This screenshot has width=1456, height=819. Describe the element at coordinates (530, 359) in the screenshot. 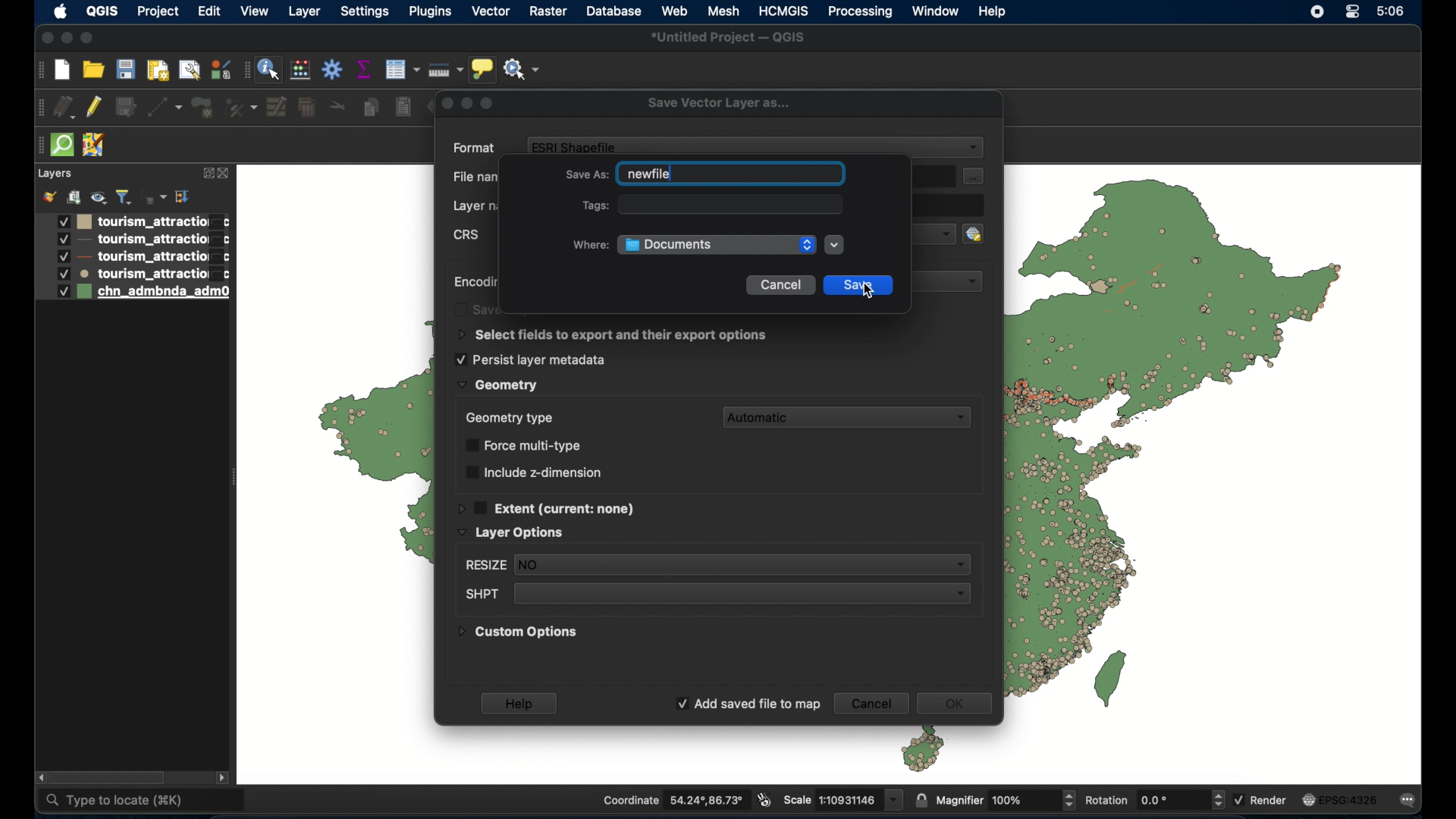

I see `persist layer metadata` at that location.